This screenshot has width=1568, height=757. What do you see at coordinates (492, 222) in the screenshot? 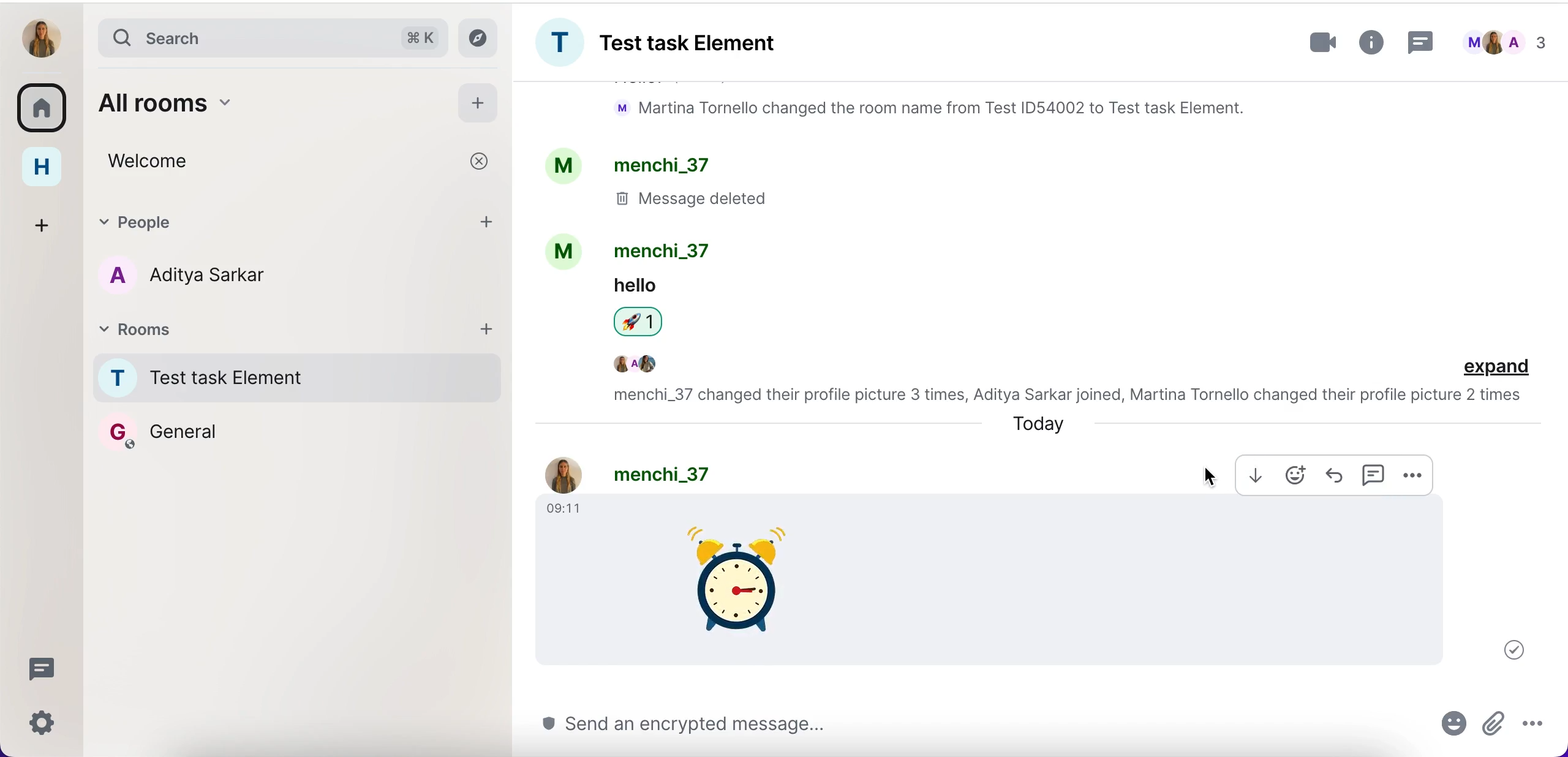
I see `add` at bounding box center [492, 222].